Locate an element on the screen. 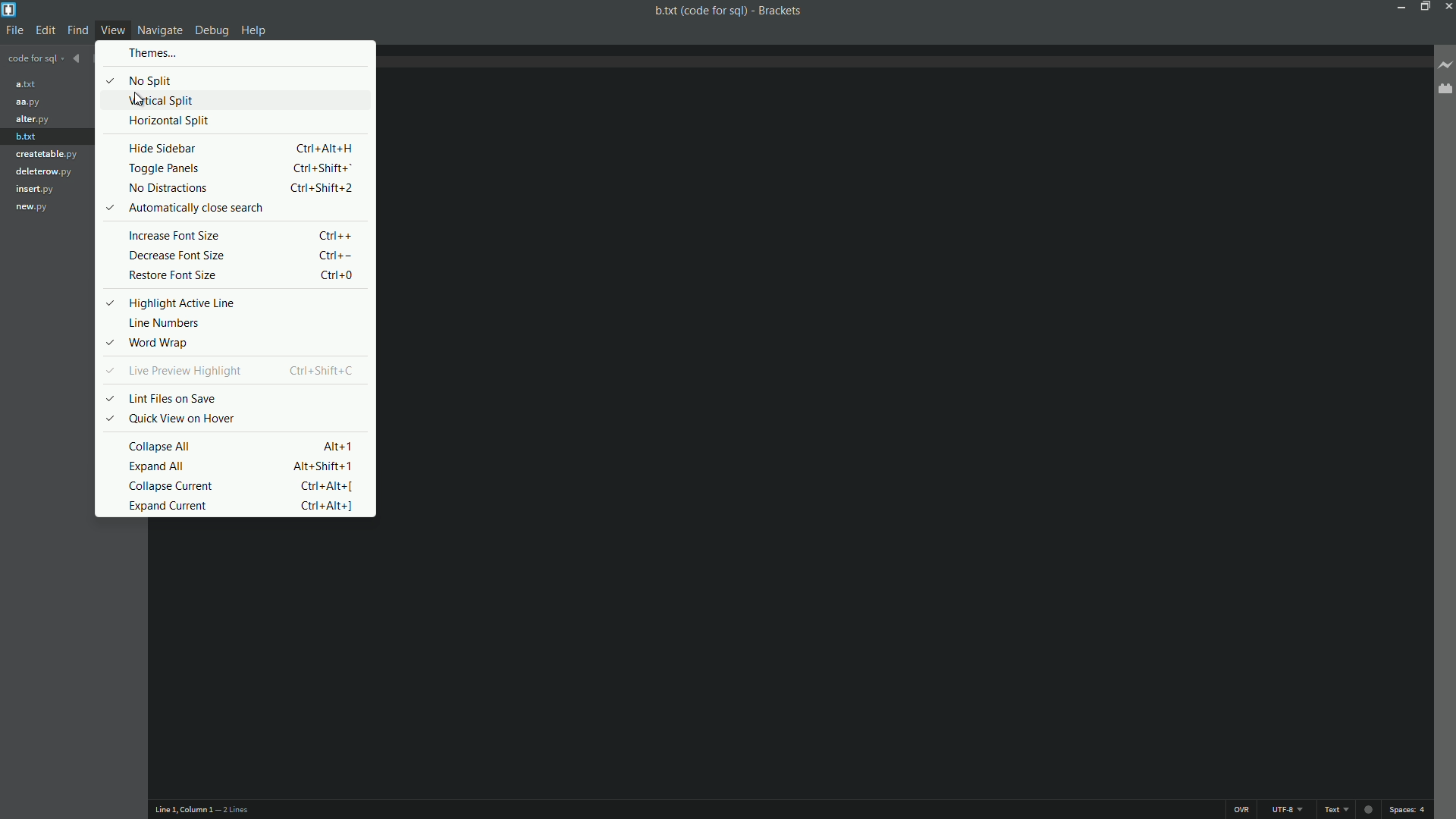  a.txt is located at coordinates (31, 85).